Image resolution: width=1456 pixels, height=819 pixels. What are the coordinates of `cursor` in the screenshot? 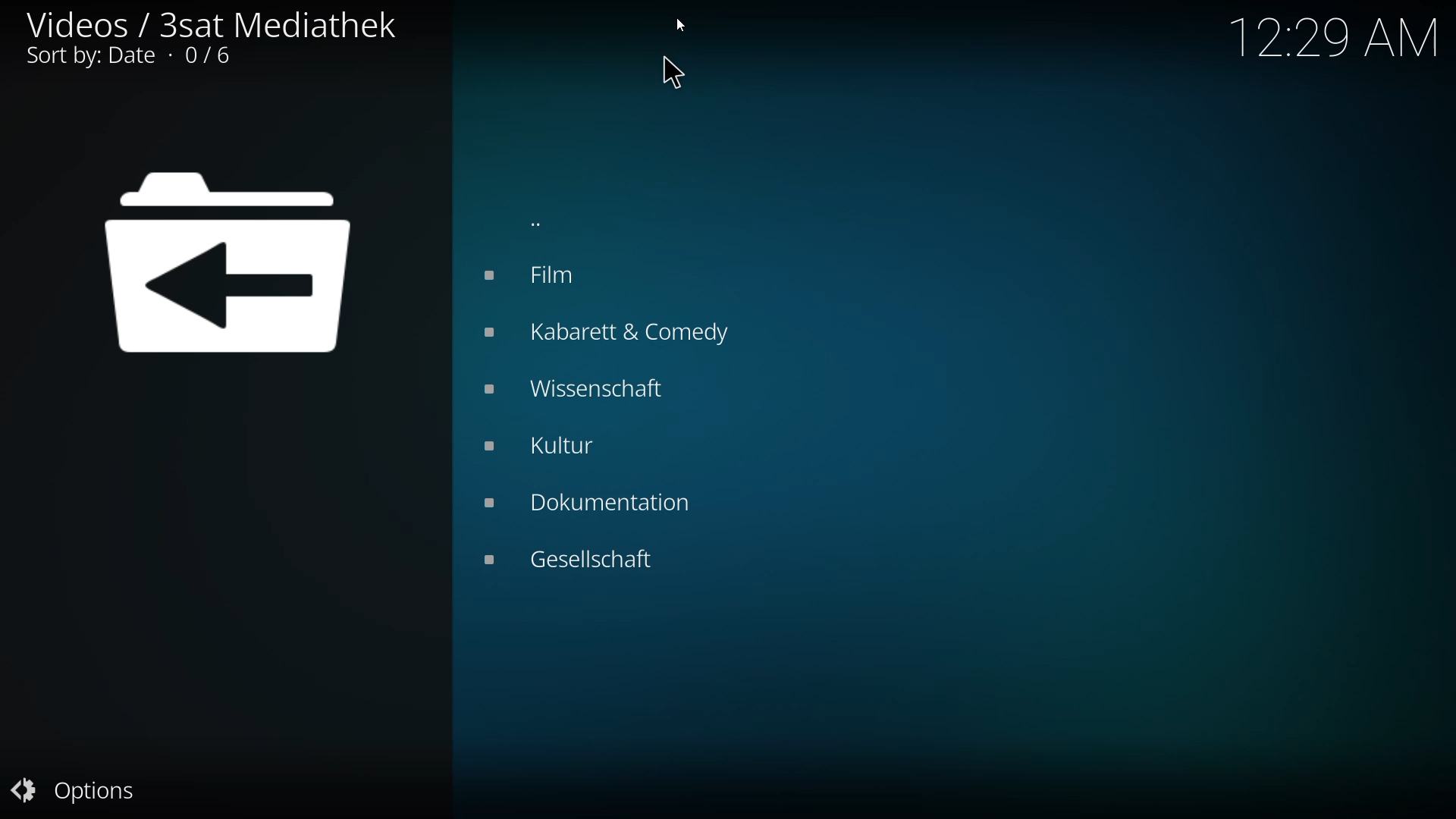 It's located at (669, 75).